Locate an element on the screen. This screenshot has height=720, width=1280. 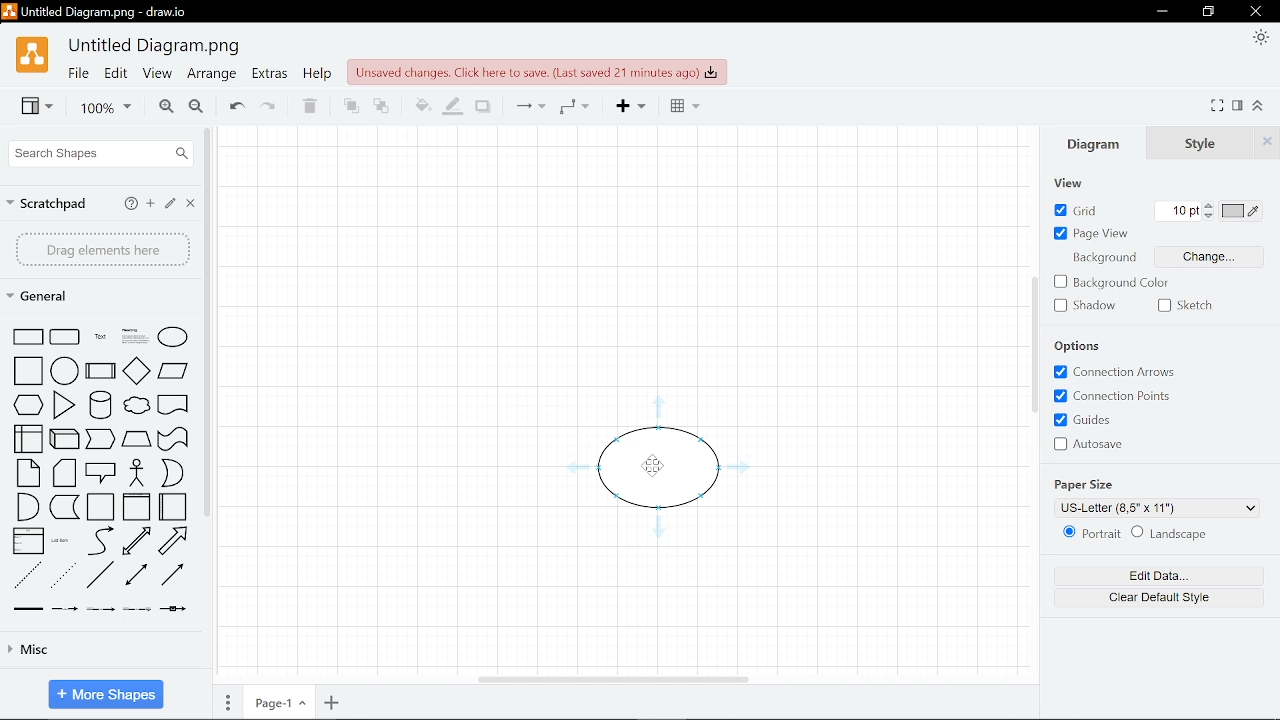
Edit is located at coordinates (117, 73).